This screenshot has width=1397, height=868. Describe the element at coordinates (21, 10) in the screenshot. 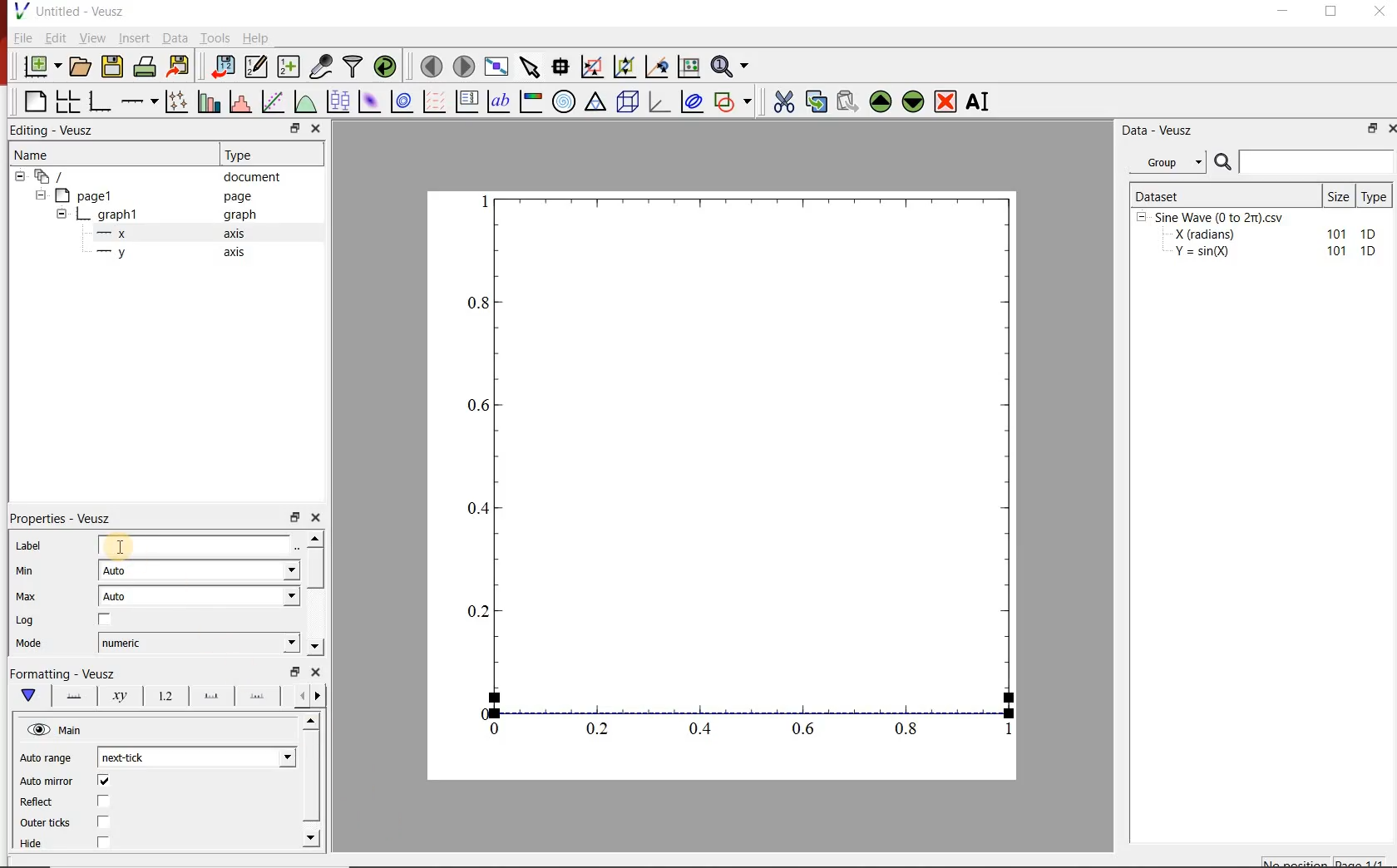

I see `Logo` at that location.